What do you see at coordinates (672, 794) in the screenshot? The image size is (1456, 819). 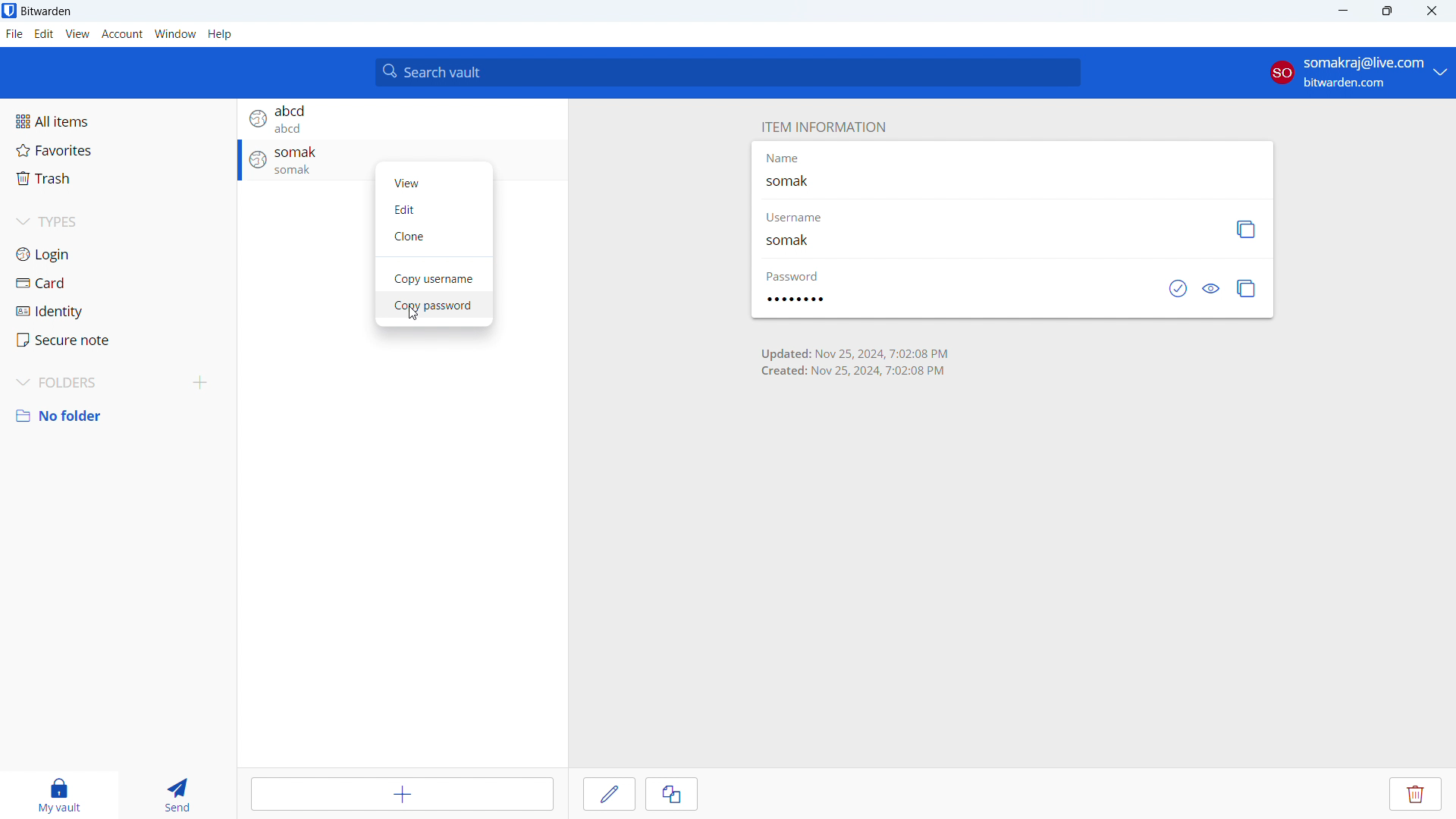 I see `clone` at bounding box center [672, 794].